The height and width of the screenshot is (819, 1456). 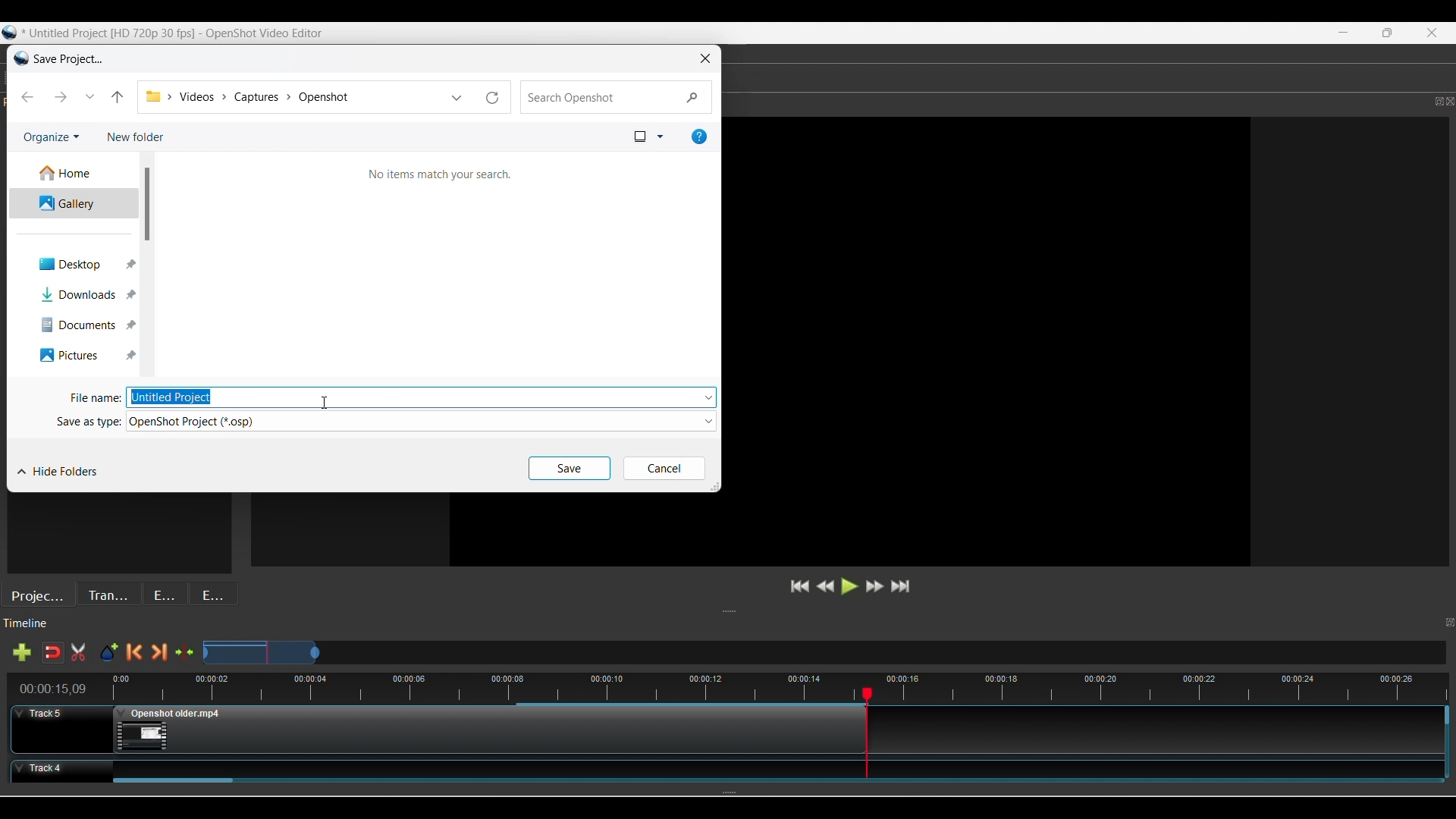 What do you see at coordinates (1448, 714) in the screenshot?
I see `Vertical slide bar` at bounding box center [1448, 714].